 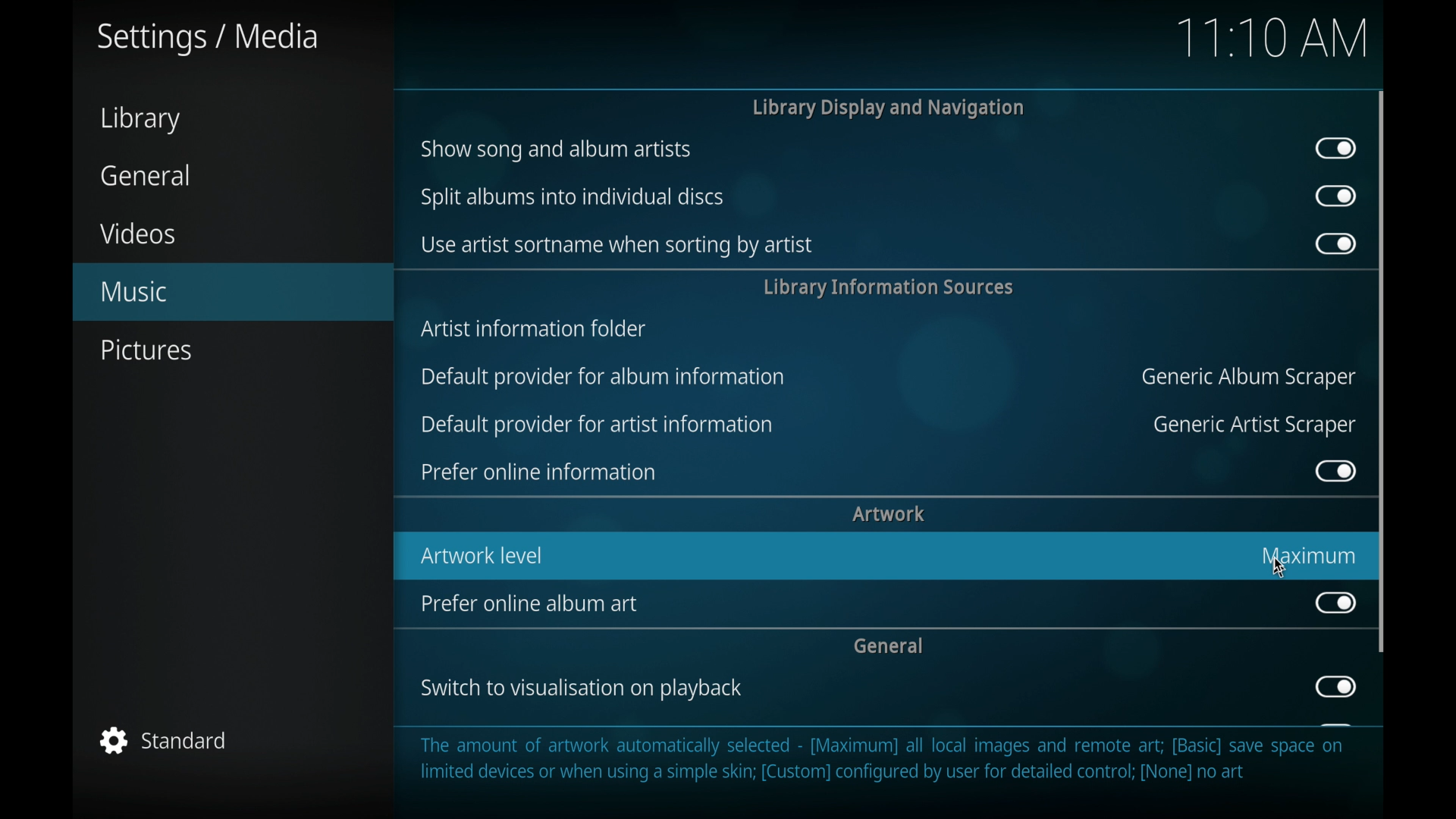 What do you see at coordinates (1336, 148) in the screenshot?
I see `toggle button` at bounding box center [1336, 148].